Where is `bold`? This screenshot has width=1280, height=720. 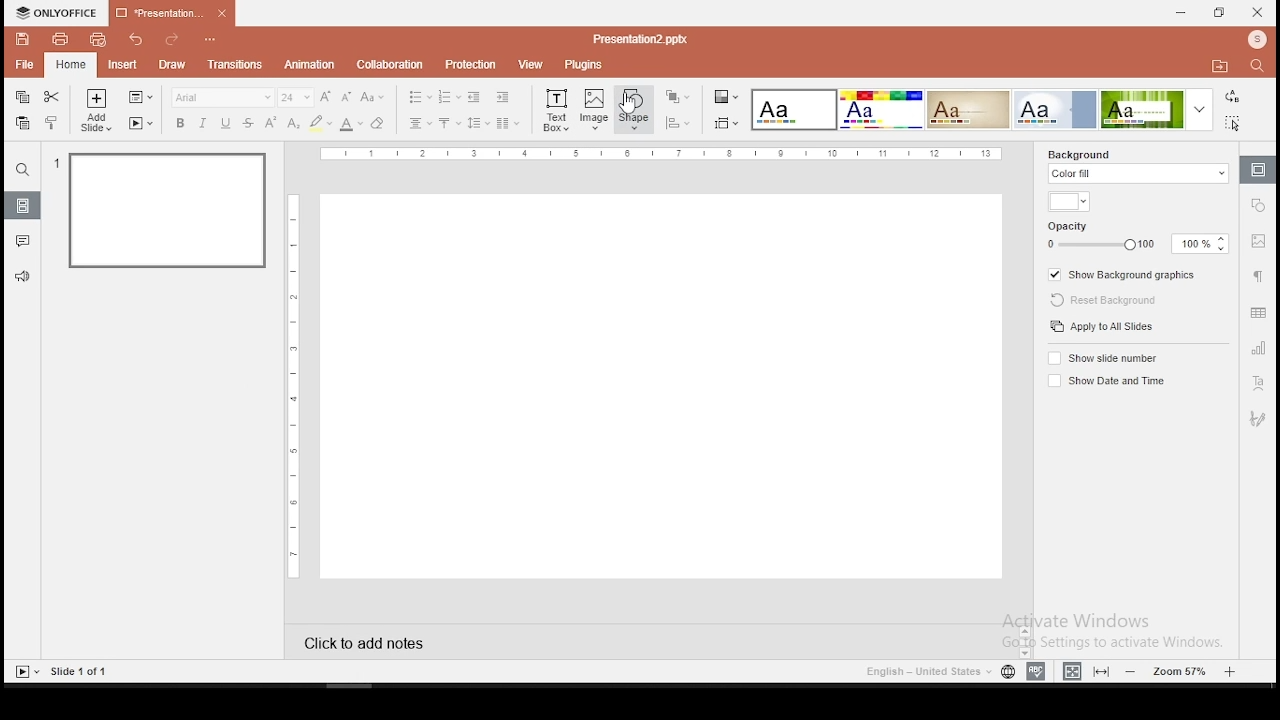 bold is located at coordinates (180, 123).